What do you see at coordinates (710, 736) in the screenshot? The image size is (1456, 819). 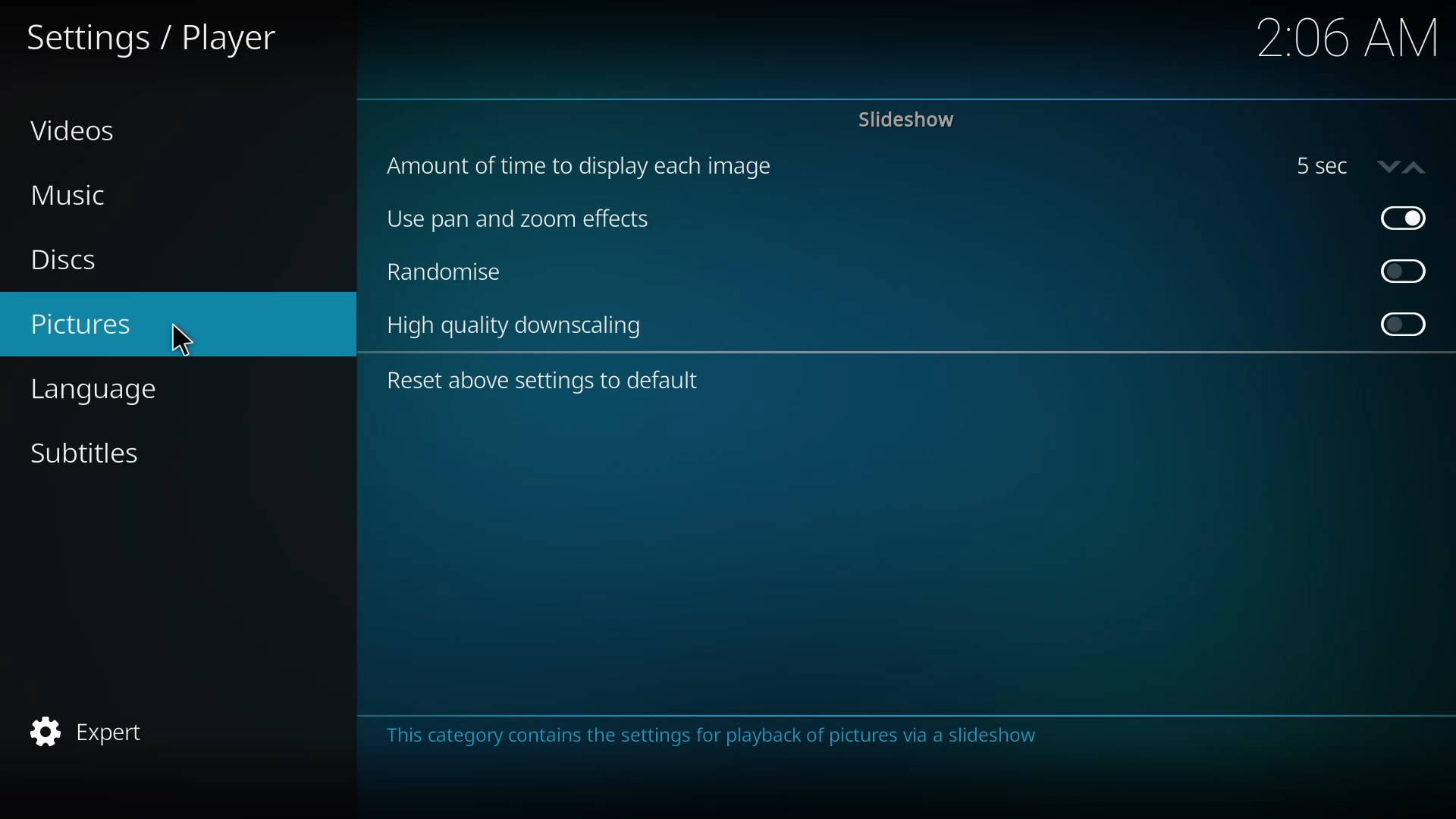 I see `info` at bounding box center [710, 736].